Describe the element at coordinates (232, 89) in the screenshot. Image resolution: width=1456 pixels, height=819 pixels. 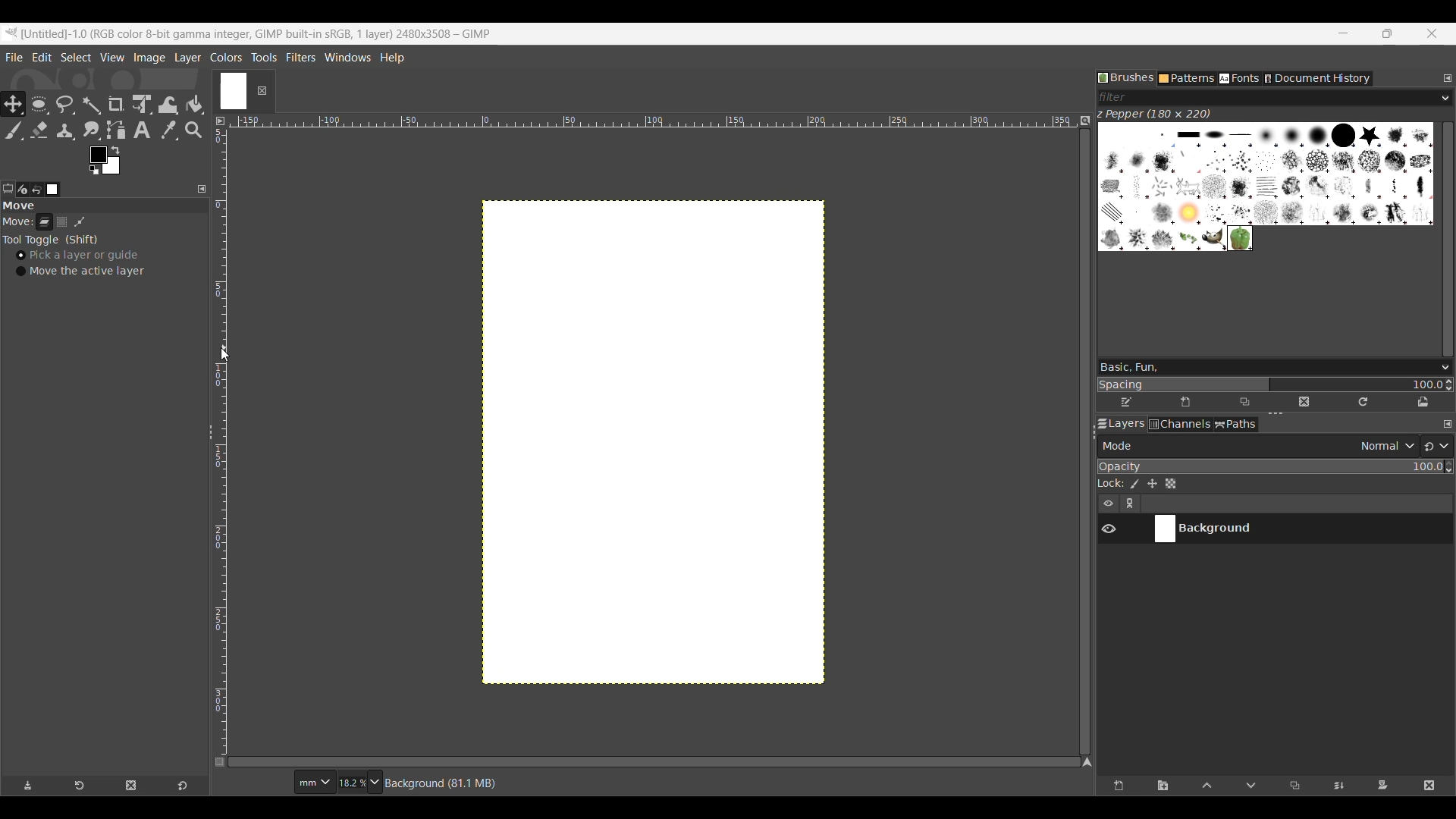
I see `Current tab` at that location.